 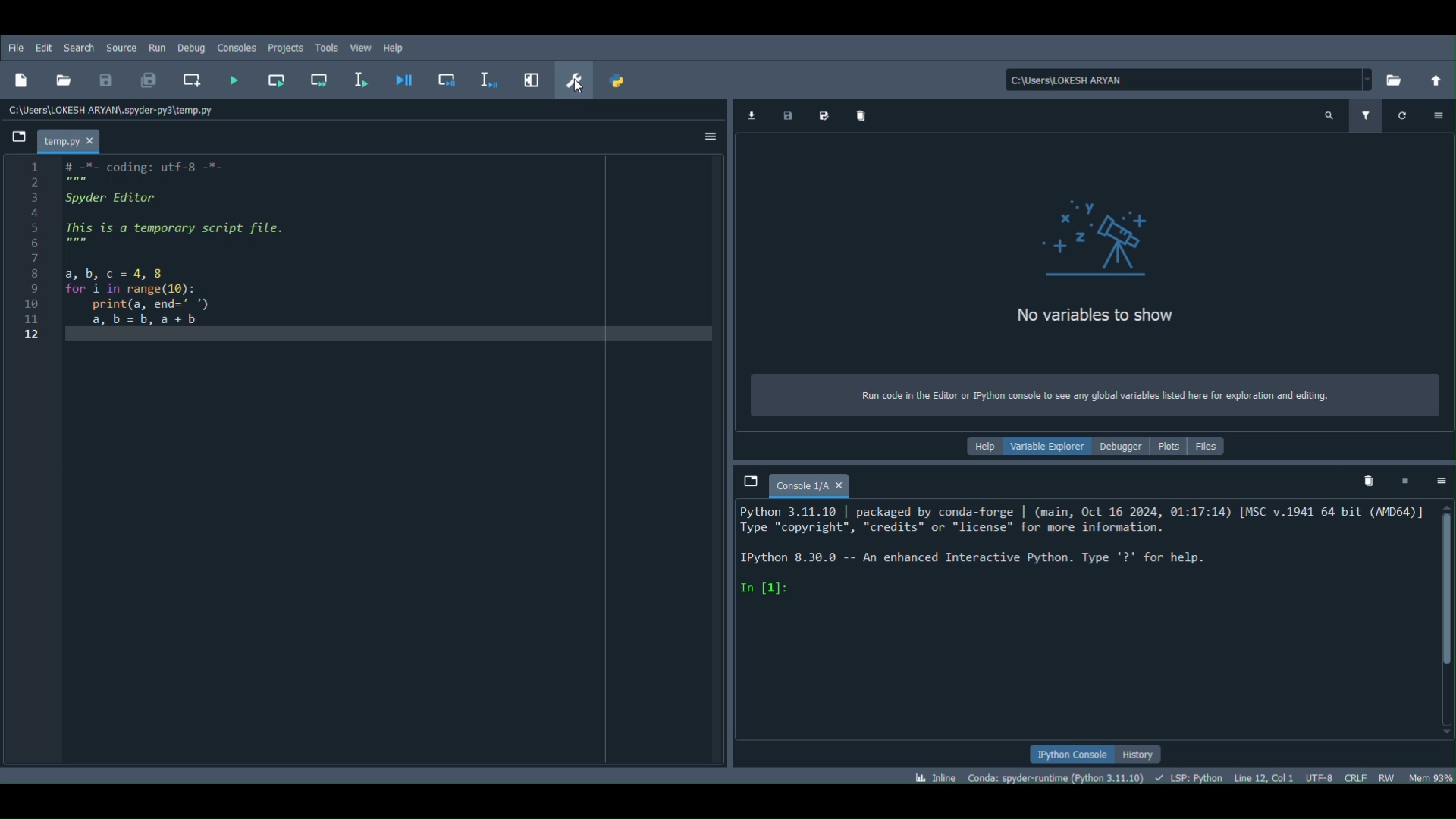 I want to click on Scrollbar, so click(x=1447, y=620).